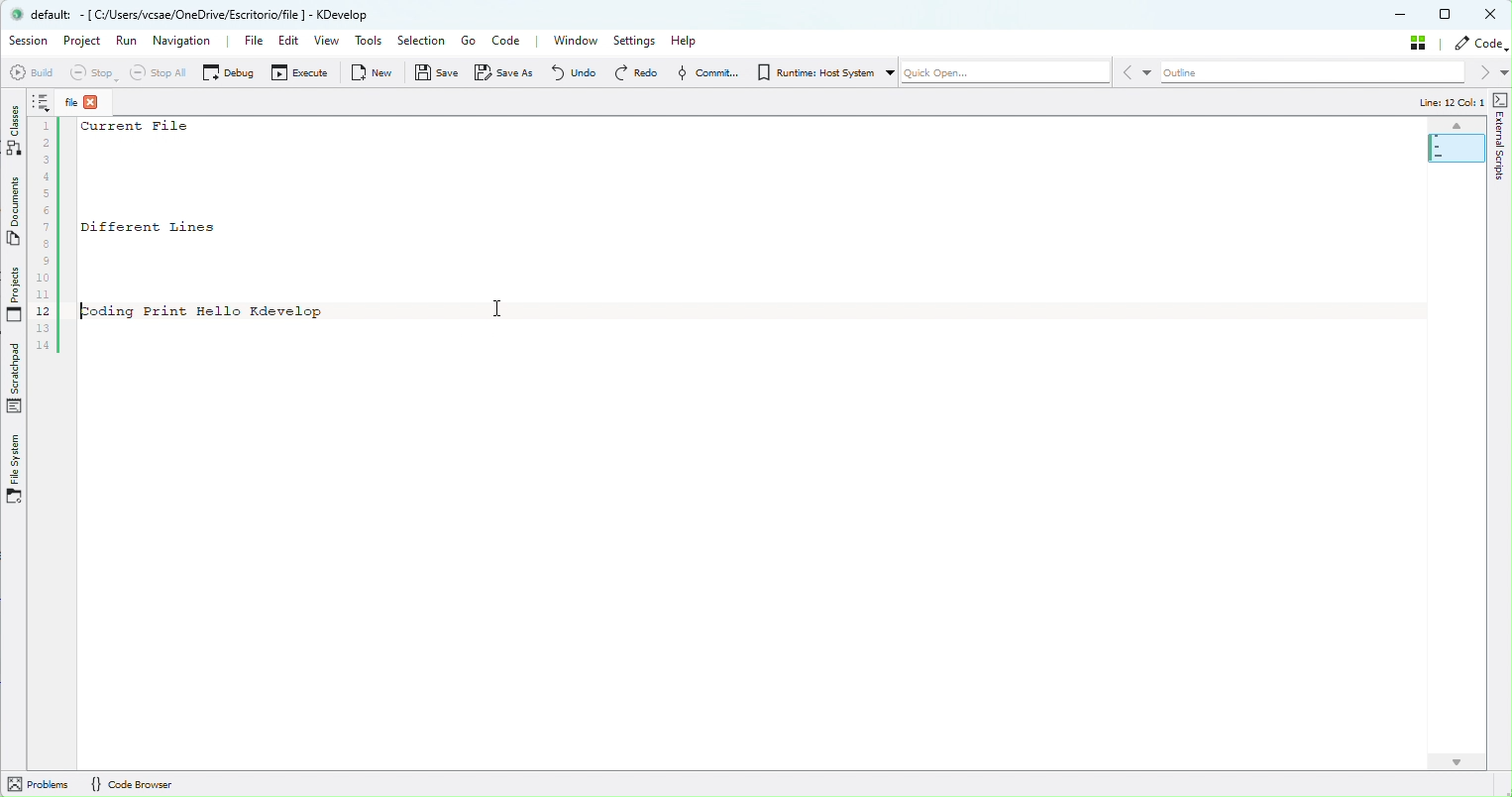 The height and width of the screenshot is (797, 1512). Describe the element at coordinates (501, 307) in the screenshot. I see `Cursor` at that location.